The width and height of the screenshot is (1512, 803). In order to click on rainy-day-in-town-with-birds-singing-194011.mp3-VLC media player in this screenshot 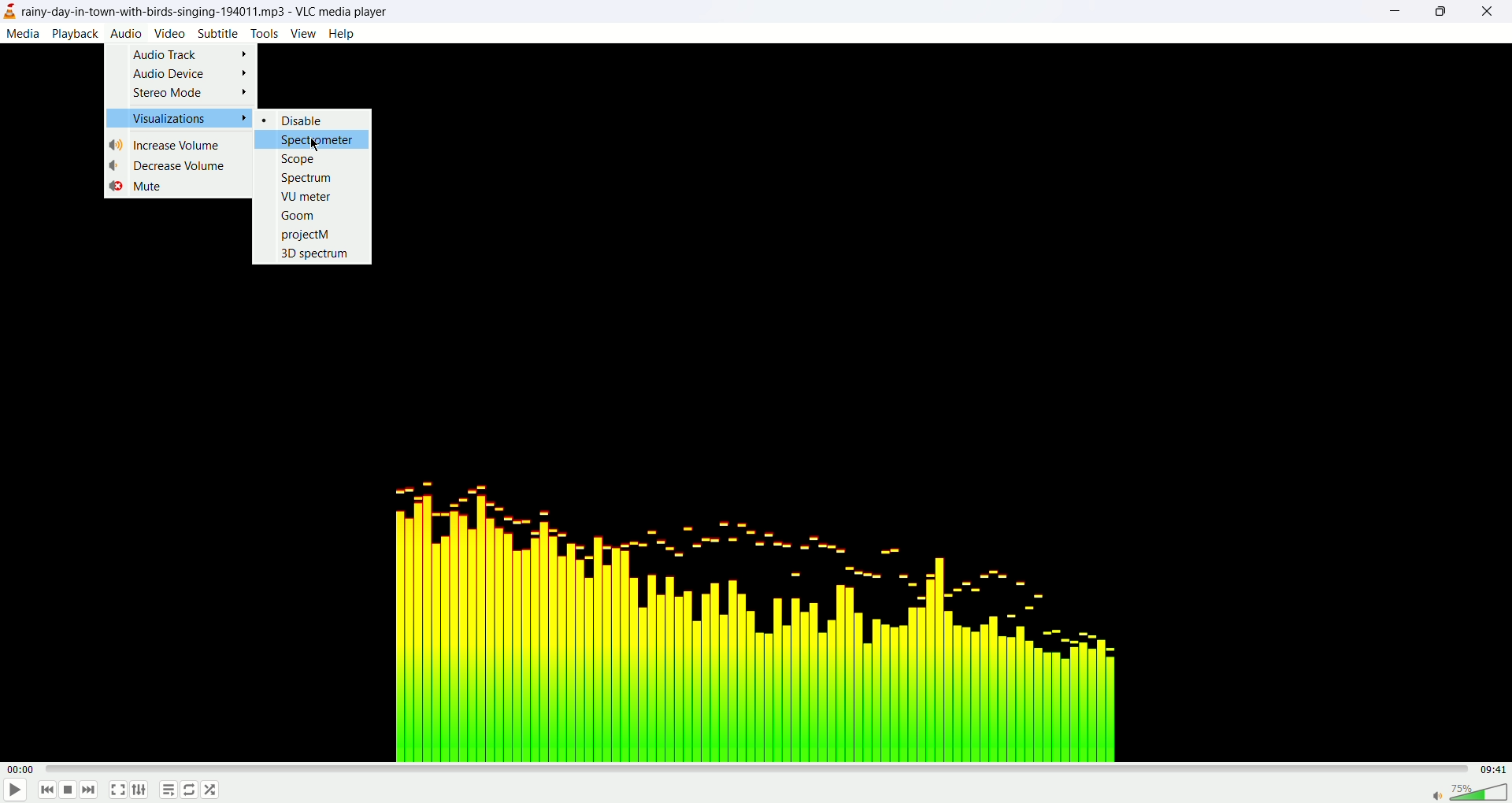, I will do `click(207, 11)`.